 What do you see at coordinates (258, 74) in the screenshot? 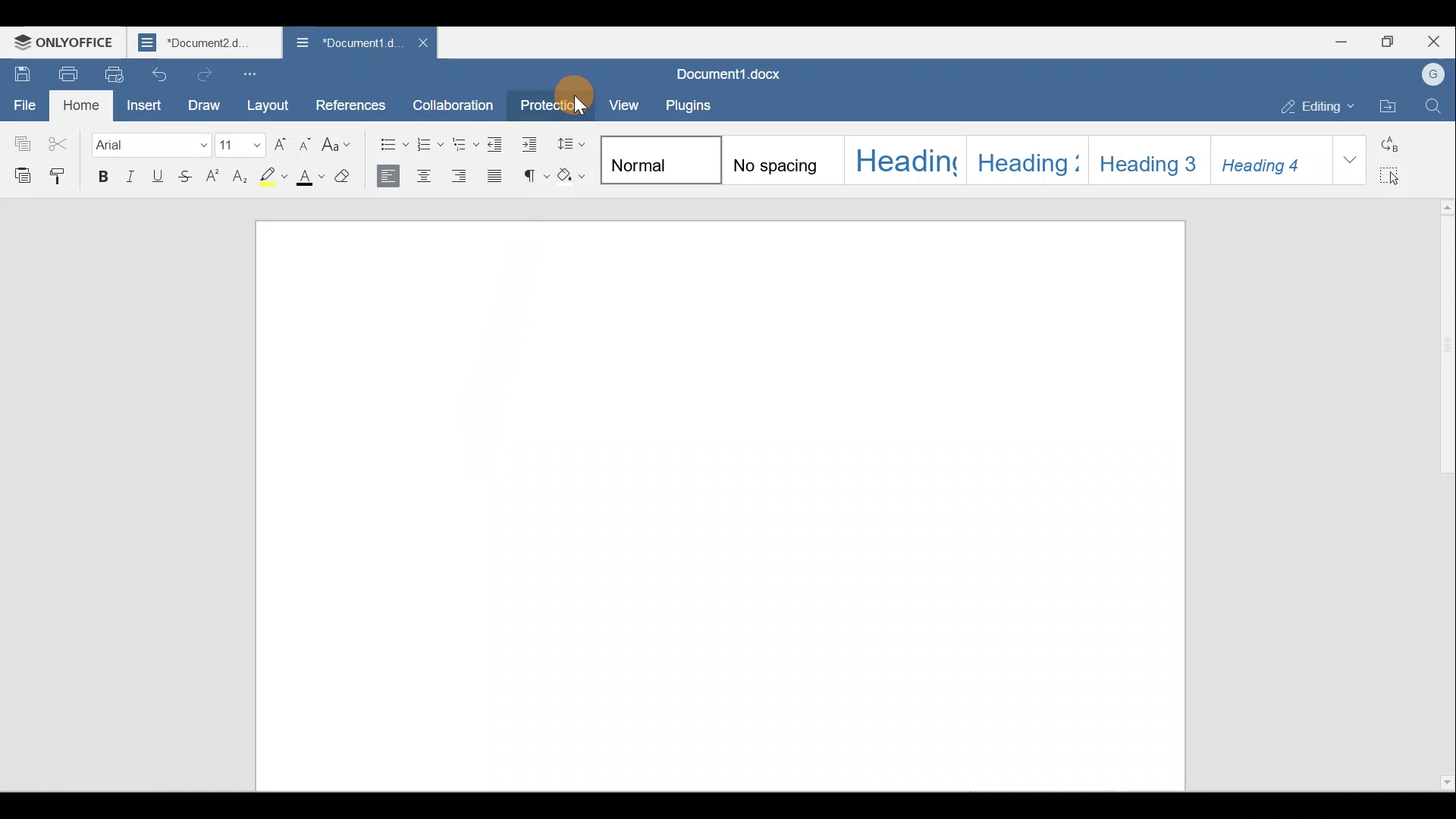
I see `Customize quick access toolbar` at bounding box center [258, 74].